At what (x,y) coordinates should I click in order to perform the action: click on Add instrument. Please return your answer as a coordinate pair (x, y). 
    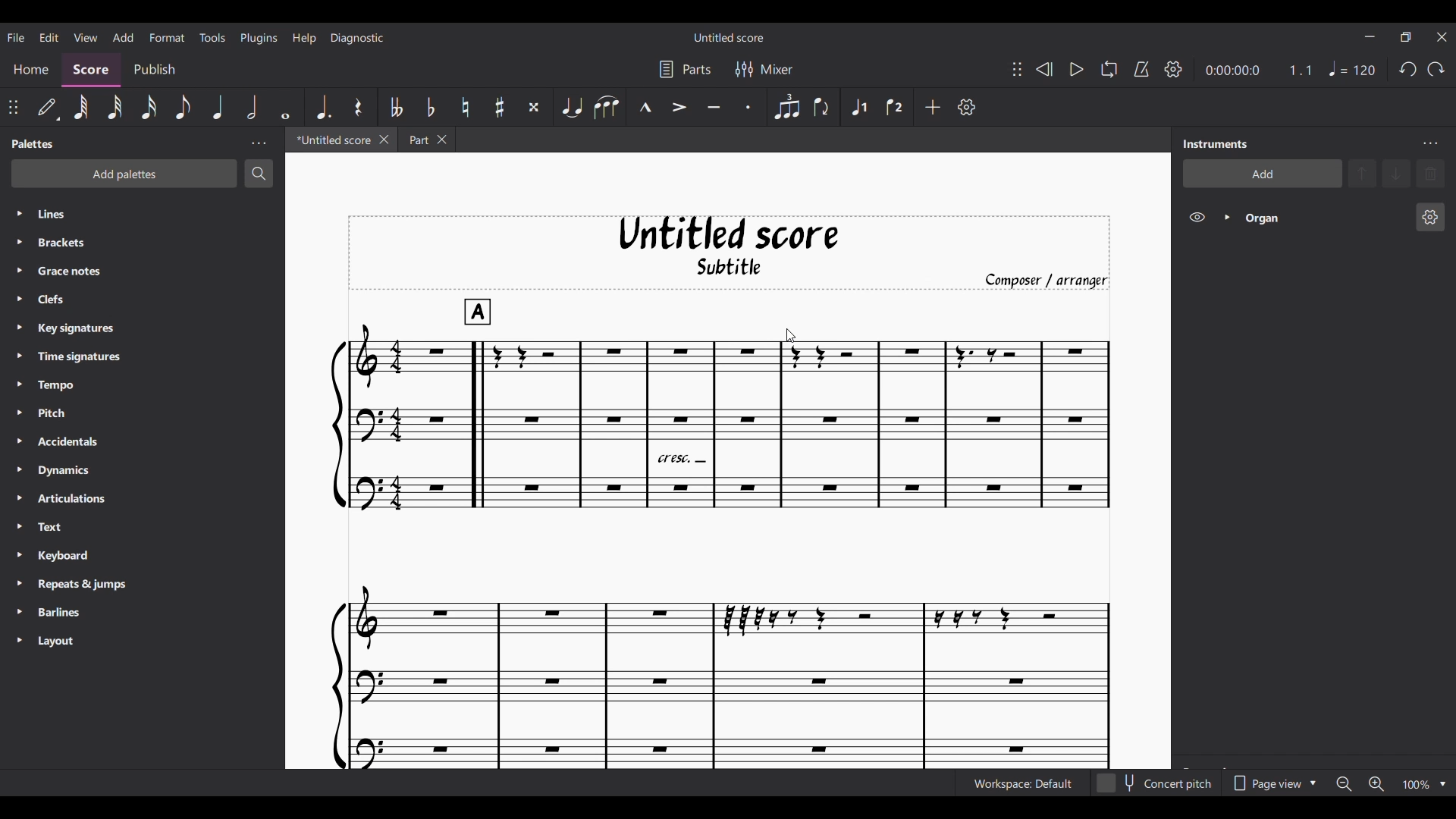
    Looking at the image, I should click on (1263, 173).